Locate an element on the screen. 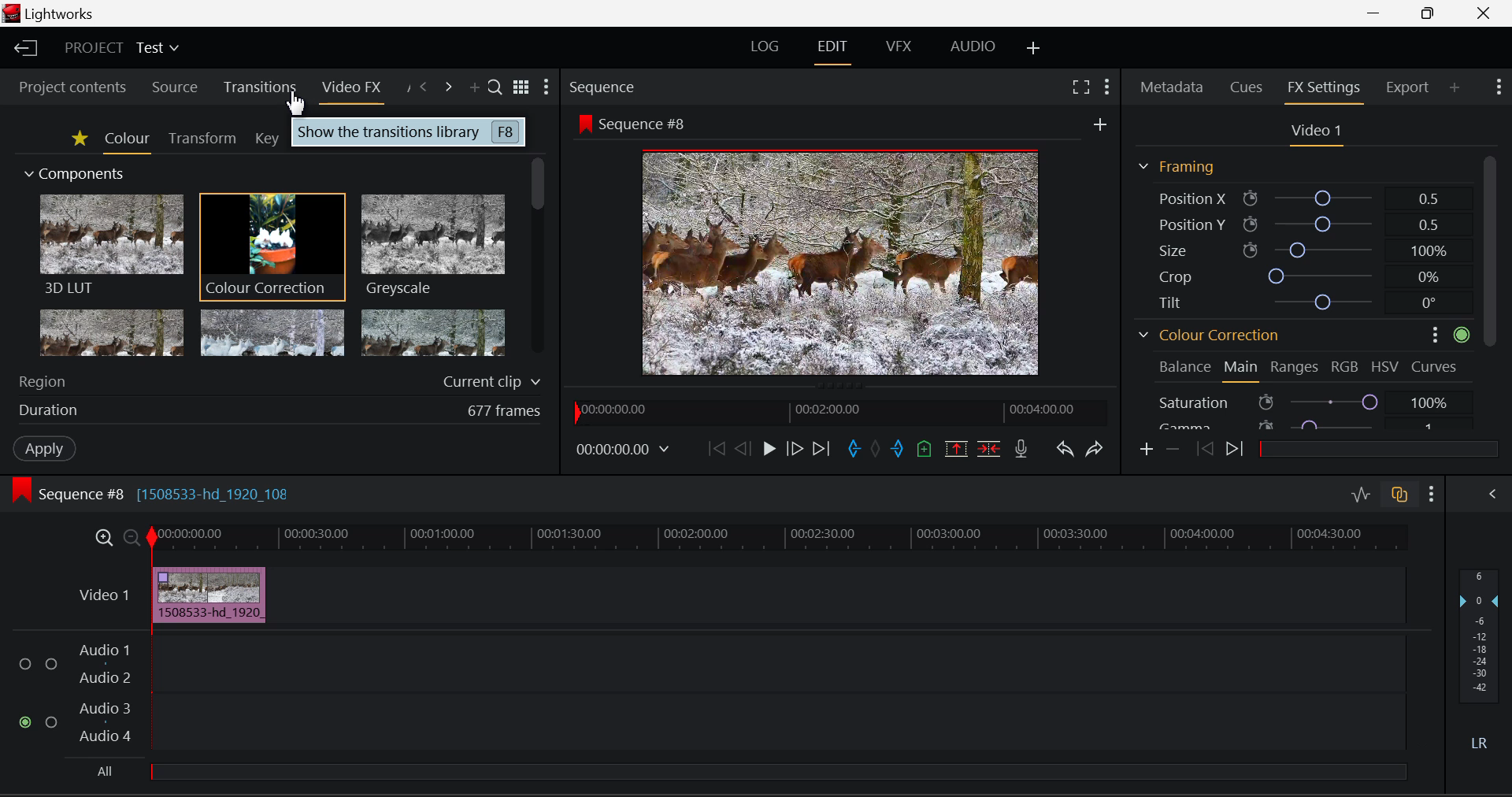 The width and height of the screenshot is (1512, 797). Restore Down is located at coordinates (1377, 13).